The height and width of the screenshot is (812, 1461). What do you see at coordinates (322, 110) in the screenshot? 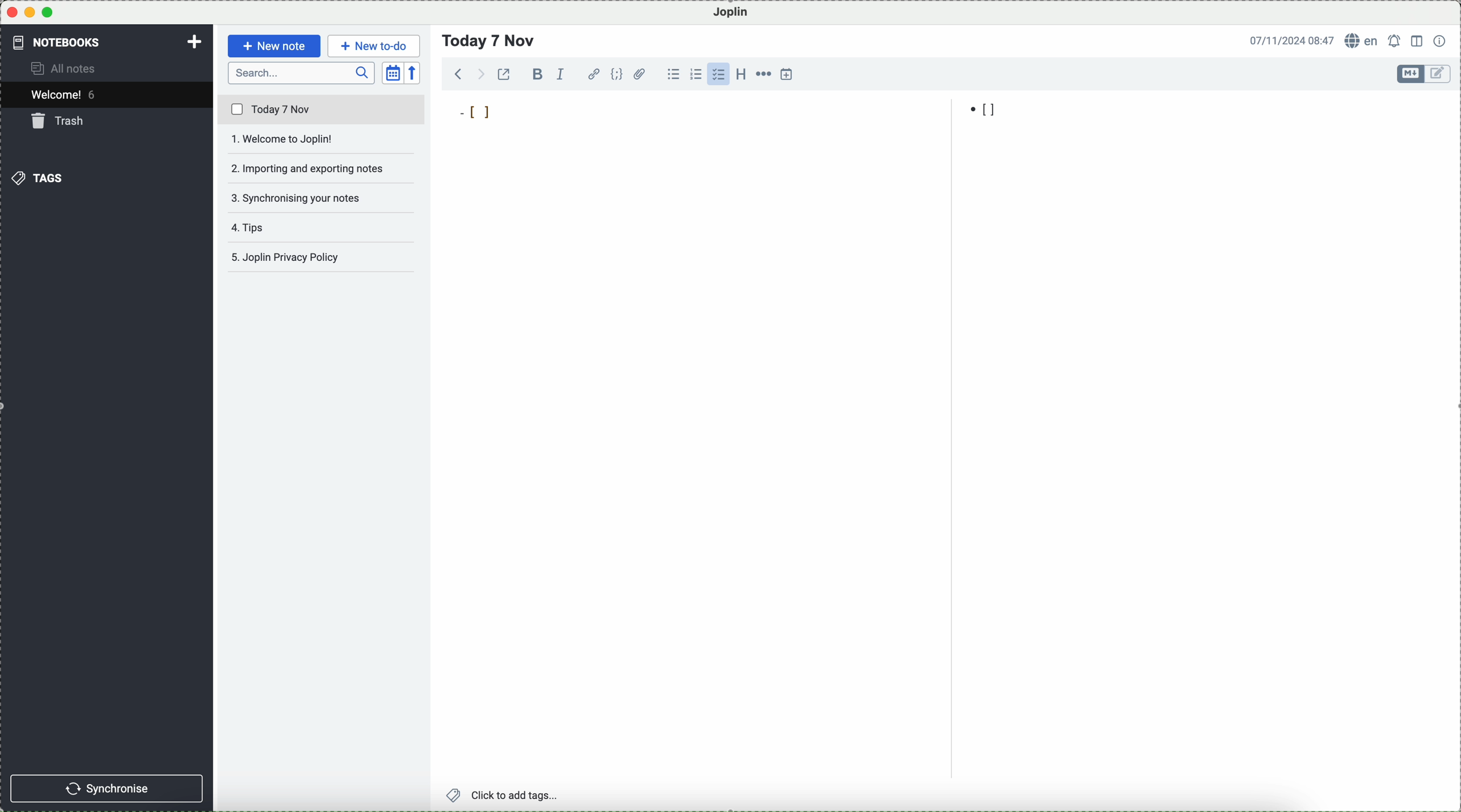
I see `today 7 nov` at bounding box center [322, 110].